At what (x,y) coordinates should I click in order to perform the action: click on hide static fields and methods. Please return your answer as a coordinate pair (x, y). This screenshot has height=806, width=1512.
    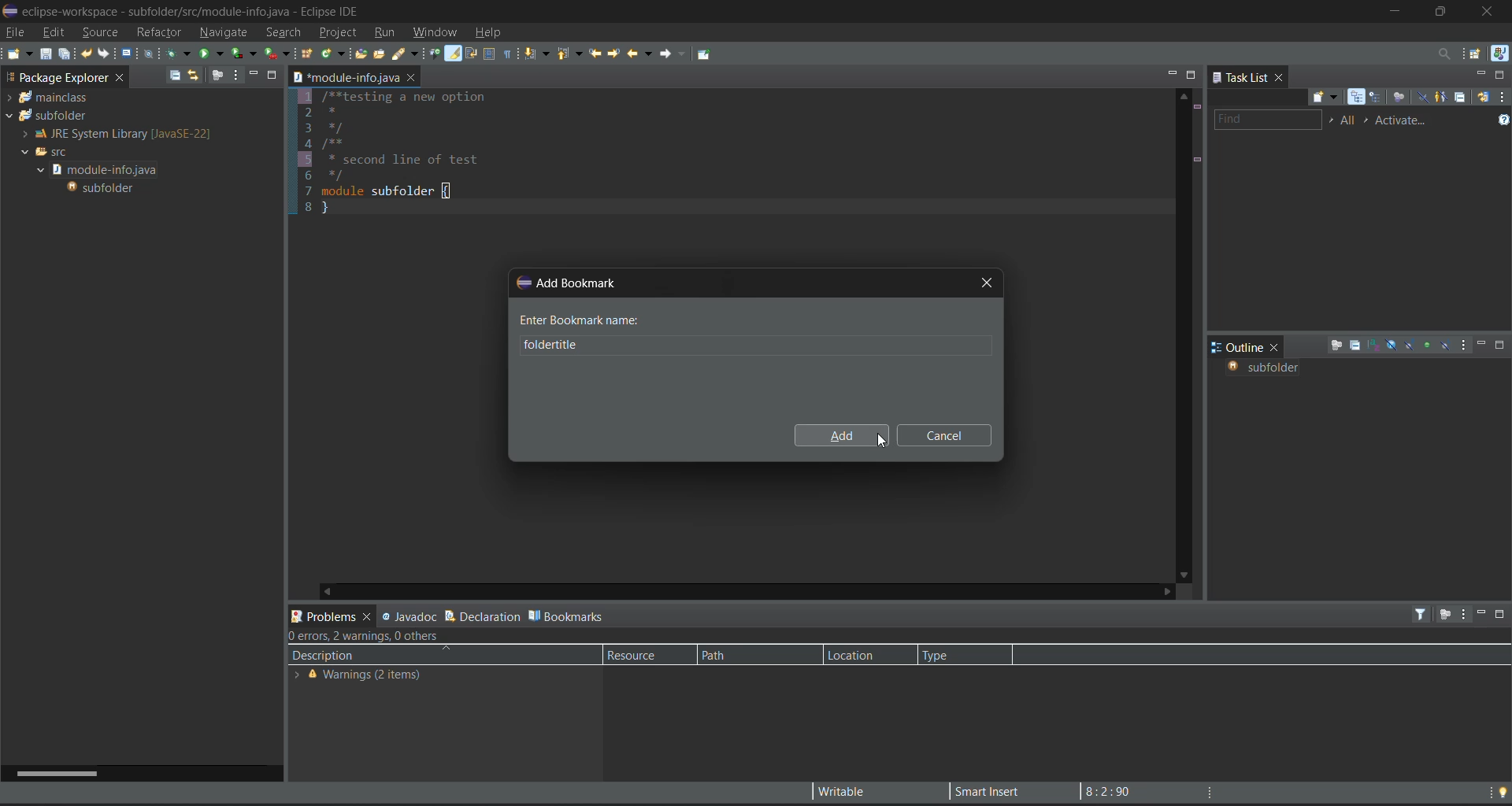
    Looking at the image, I should click on (1410, 346).